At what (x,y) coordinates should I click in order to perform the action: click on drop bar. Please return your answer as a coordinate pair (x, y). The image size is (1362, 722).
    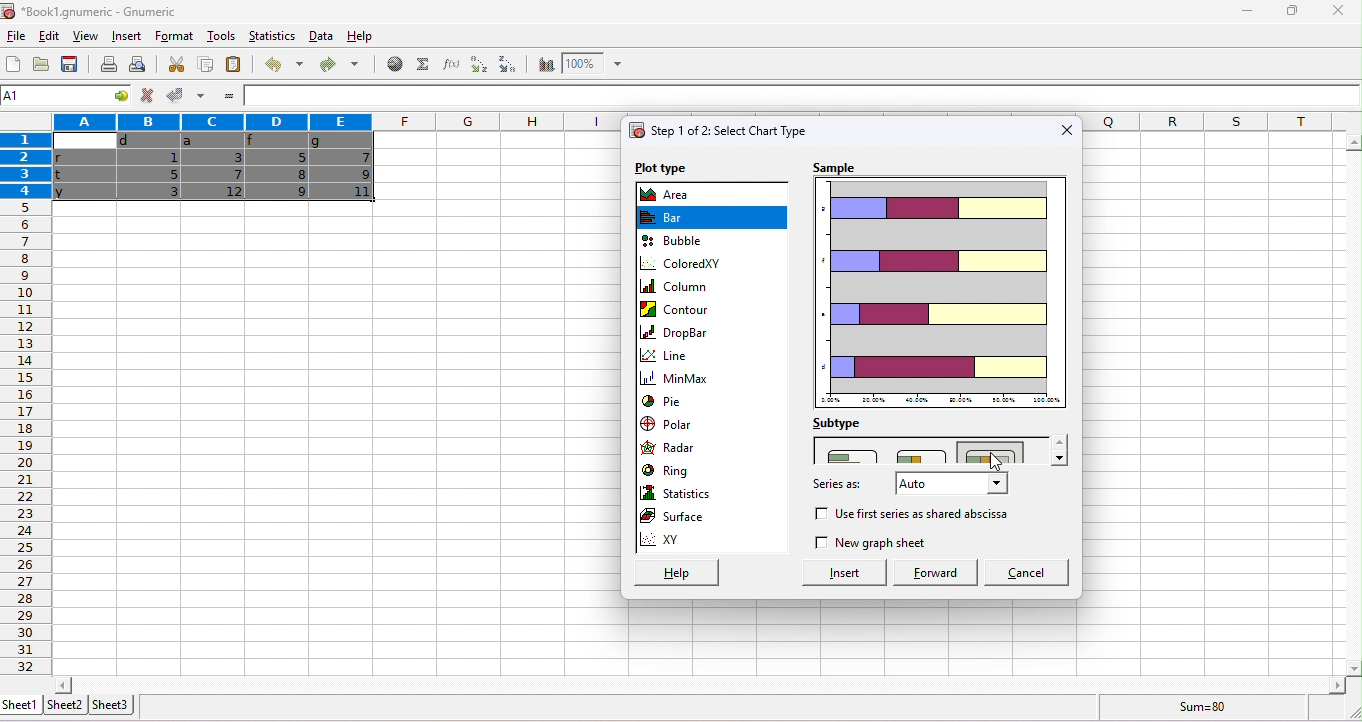
    Looking at the image, I should click on (679, 334).